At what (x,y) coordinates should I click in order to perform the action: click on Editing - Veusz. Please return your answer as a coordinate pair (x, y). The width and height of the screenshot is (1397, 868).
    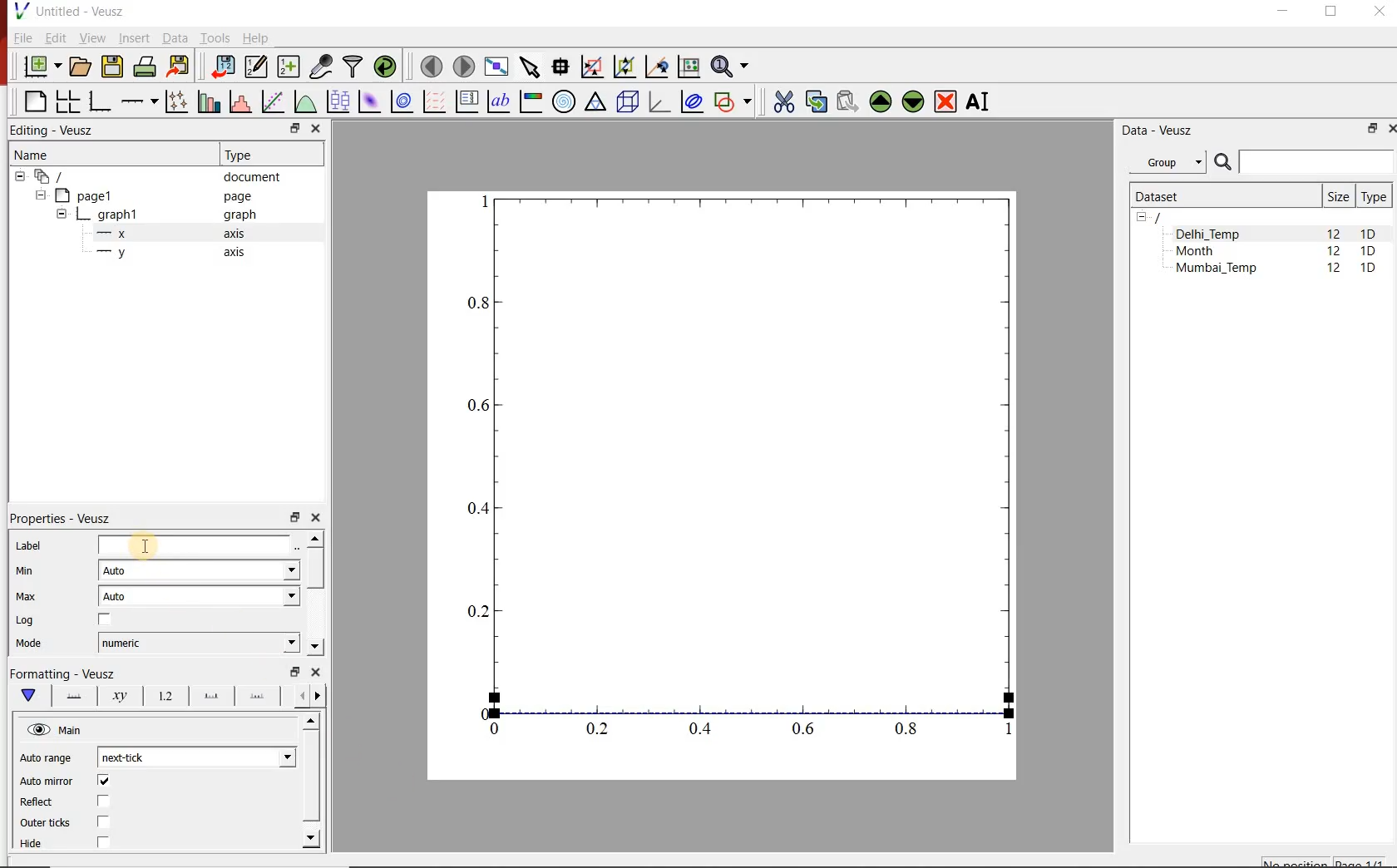
    Looking at the image, I should click on (62, 129).